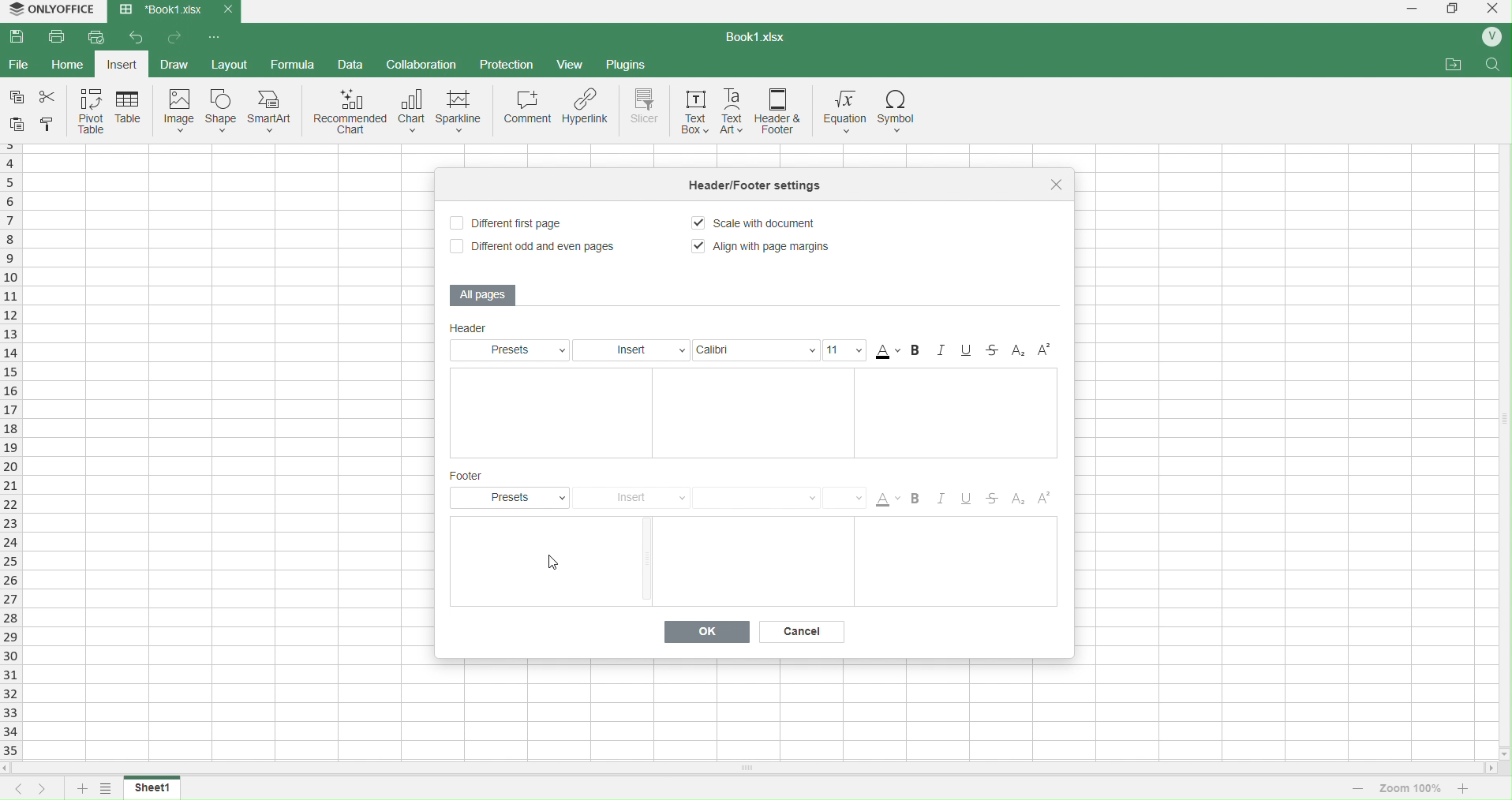 This screenshot has height=800, width=1512. I want to click on add sheet, so click(80, 790).